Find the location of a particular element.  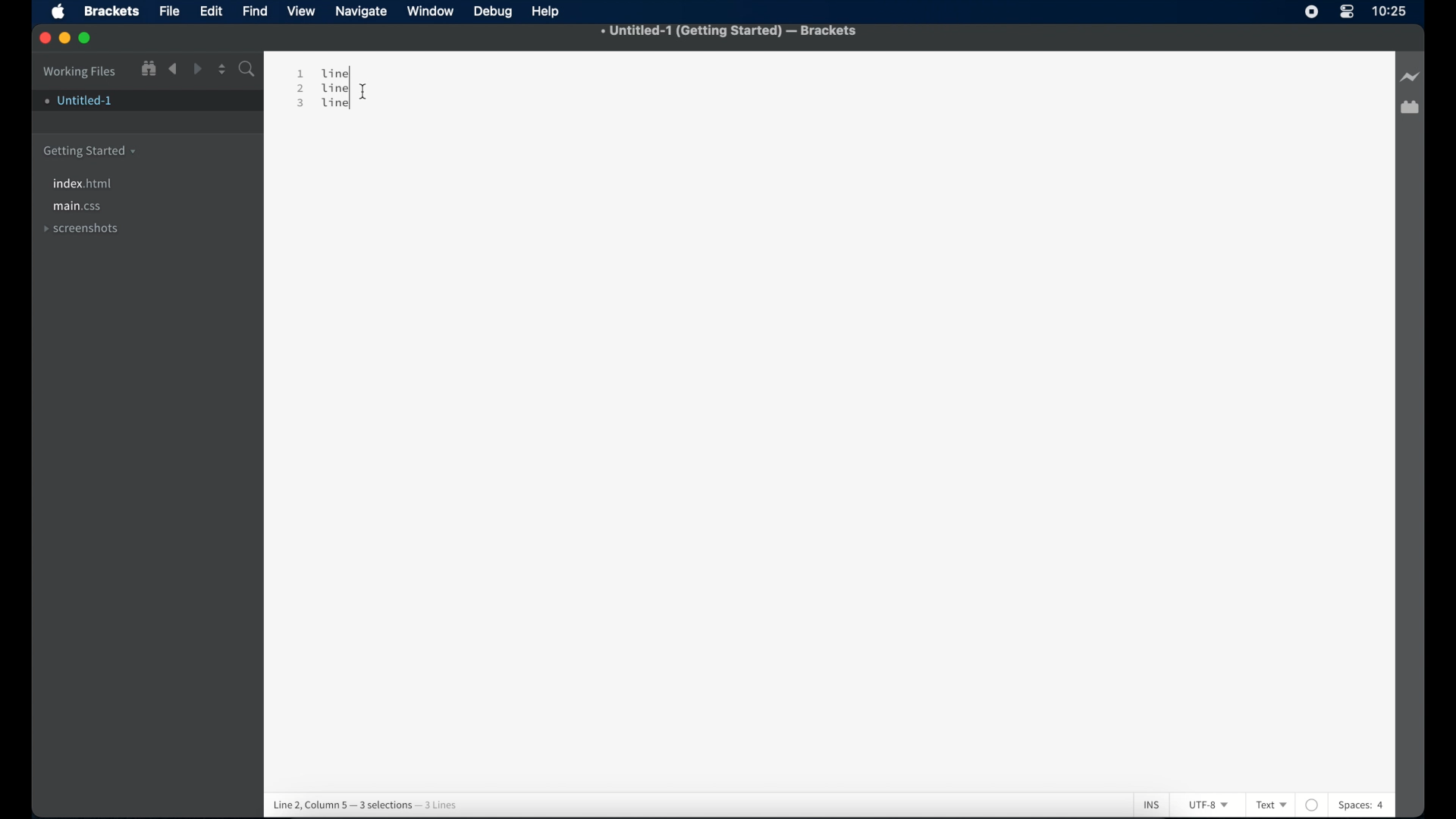

brackets is located at coordinates (113, 11).